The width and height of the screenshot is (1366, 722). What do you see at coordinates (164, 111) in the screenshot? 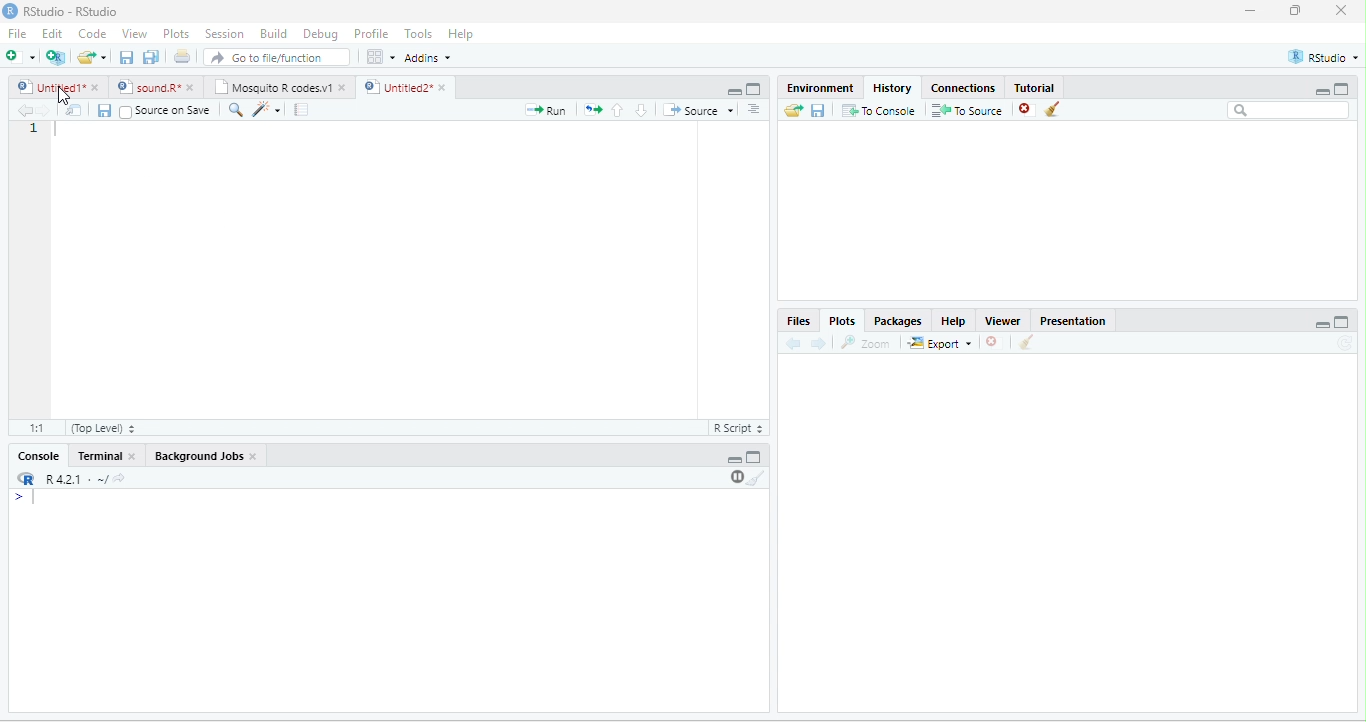
I see `Source on Save` at bounding box center [164, 111].